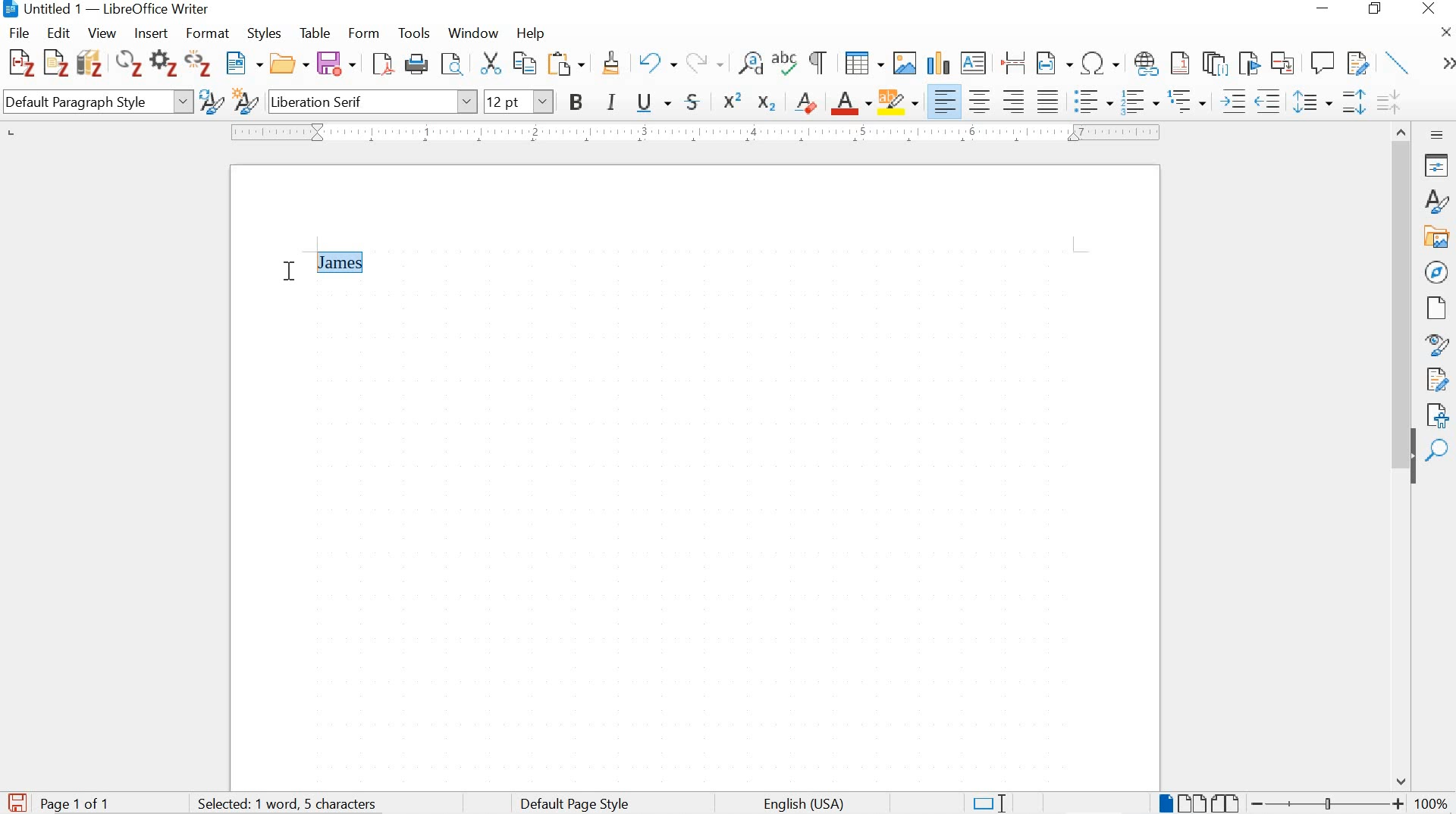 This screenshot has height=814, width=1456. What do you see at coordinates (245, 103) in the screenshot?
I see `new style from selection` at bounding box center [245, 103].